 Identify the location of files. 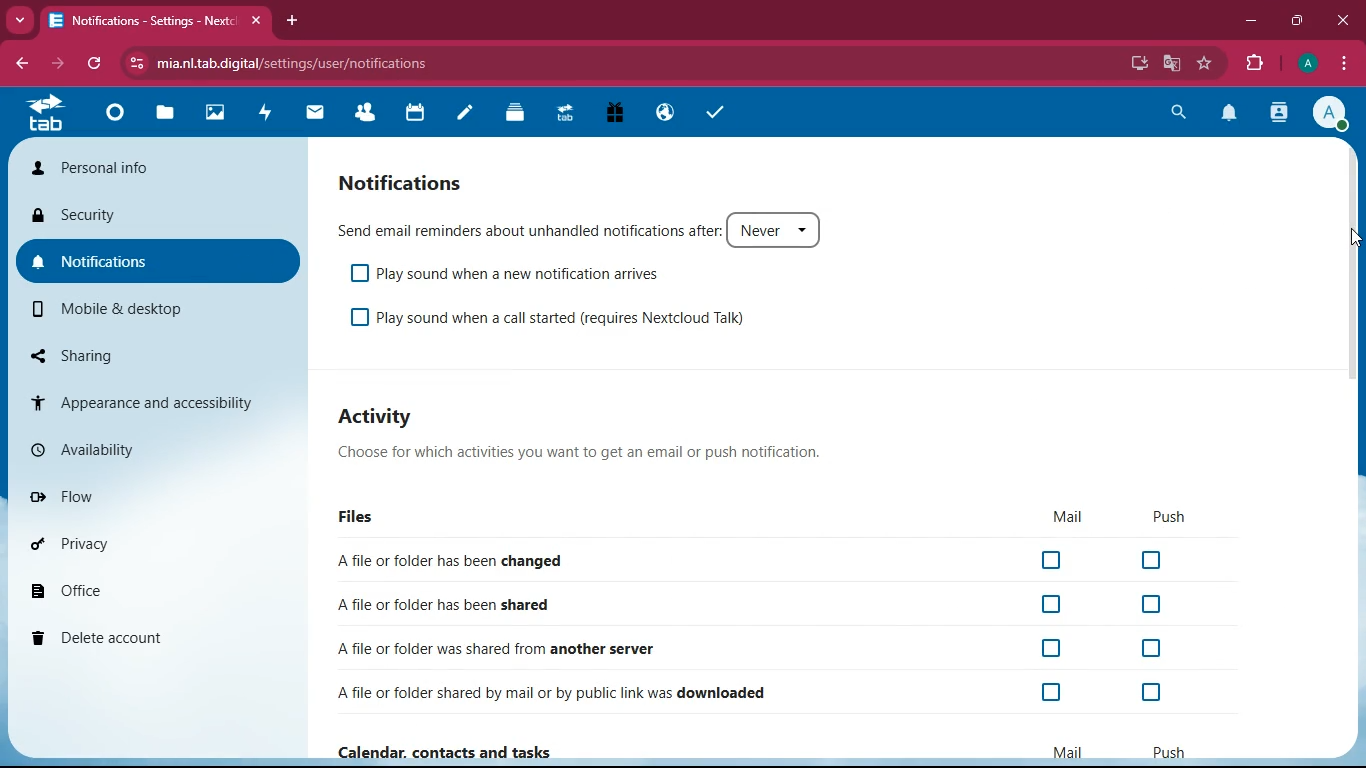
(167, 114).